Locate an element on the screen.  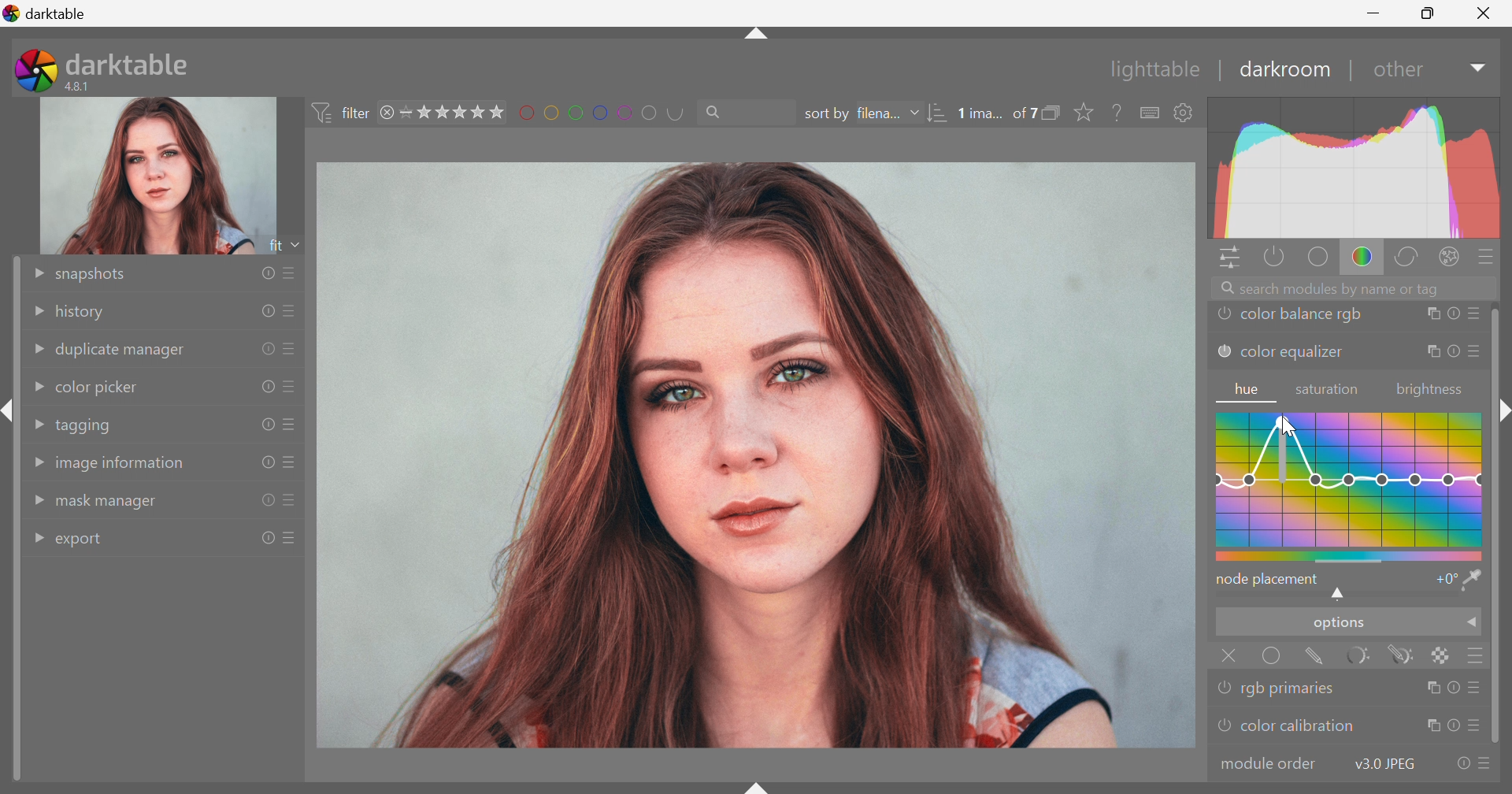
uniformly is located at coordinates (1273, 658).